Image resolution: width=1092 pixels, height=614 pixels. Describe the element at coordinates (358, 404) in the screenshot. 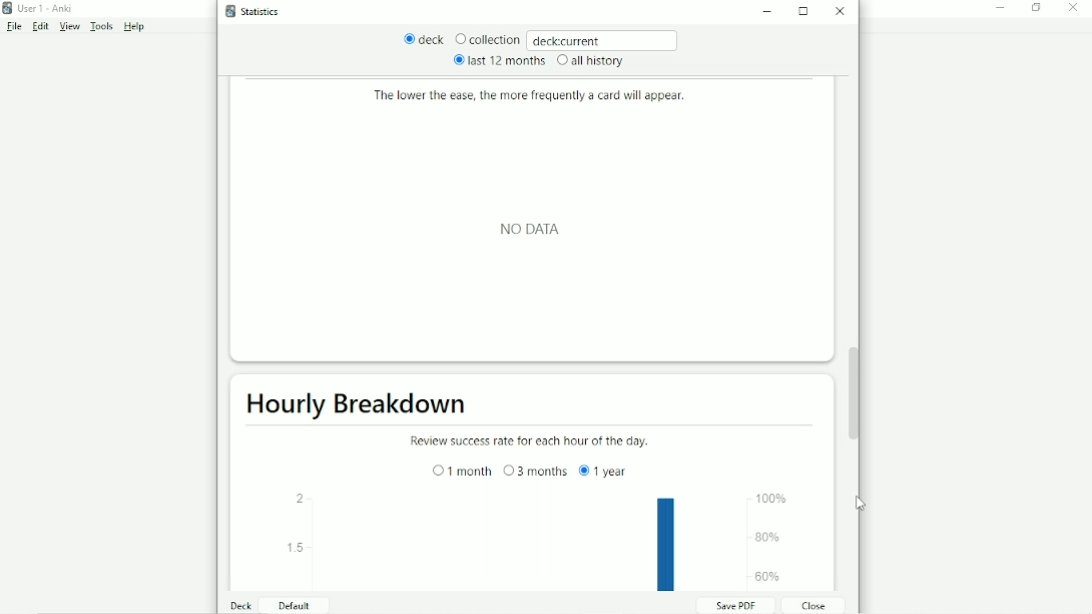

I see `Hourly Breakdown` at that location.